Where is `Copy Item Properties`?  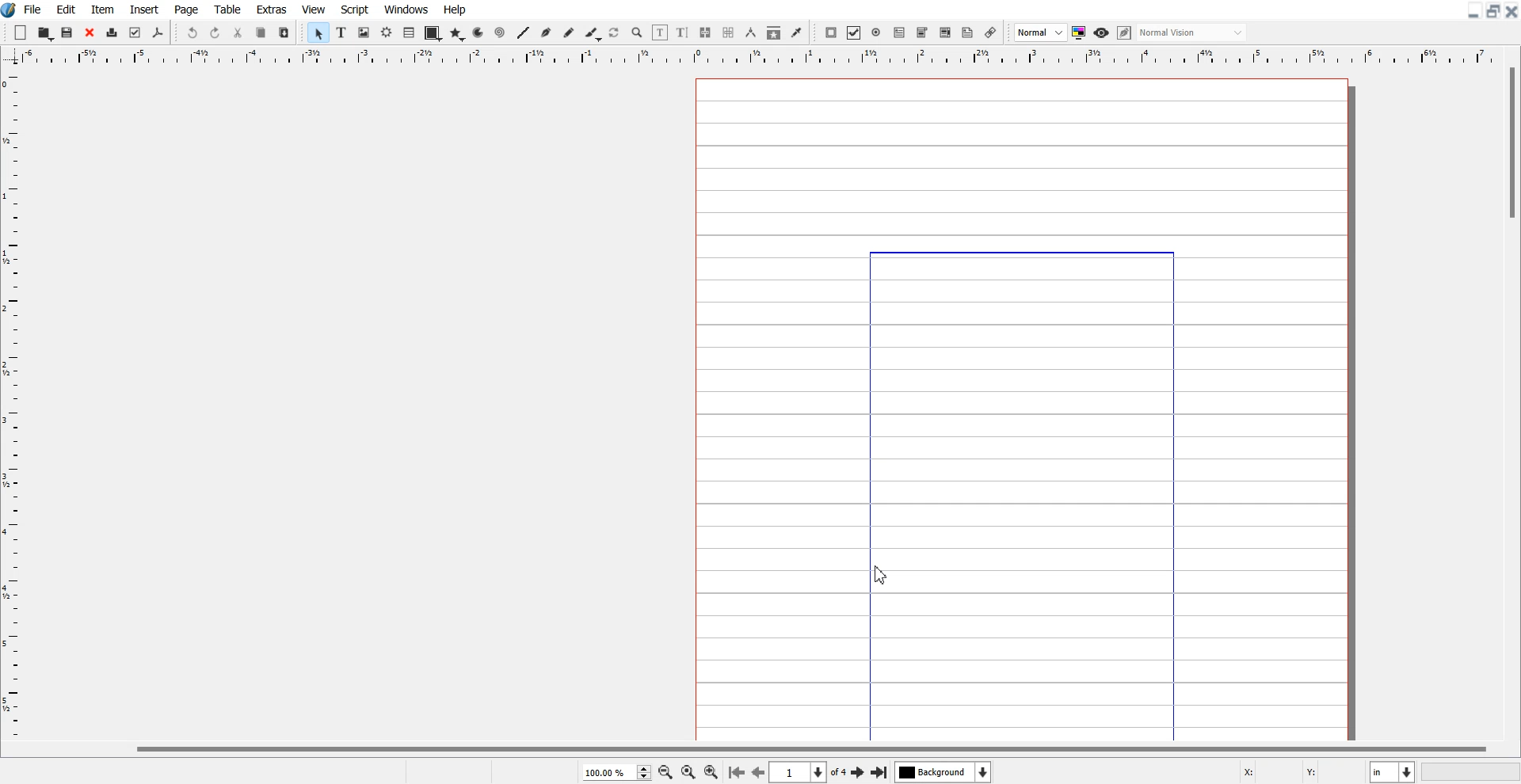 Copy Item Properties is located at coordinates (774, 32).